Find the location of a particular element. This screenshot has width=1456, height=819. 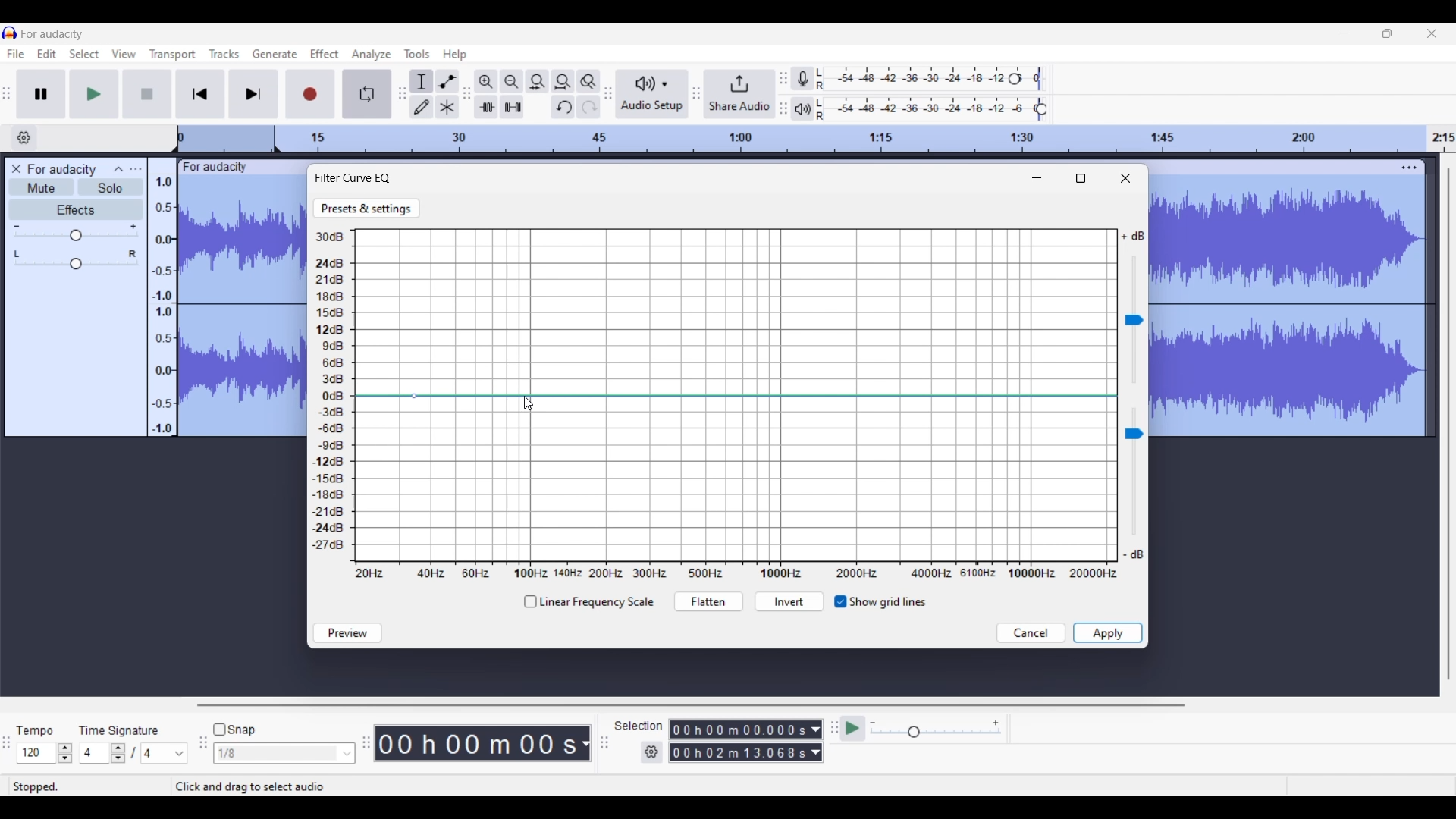

Recording level is located at coordinates (915, 79).